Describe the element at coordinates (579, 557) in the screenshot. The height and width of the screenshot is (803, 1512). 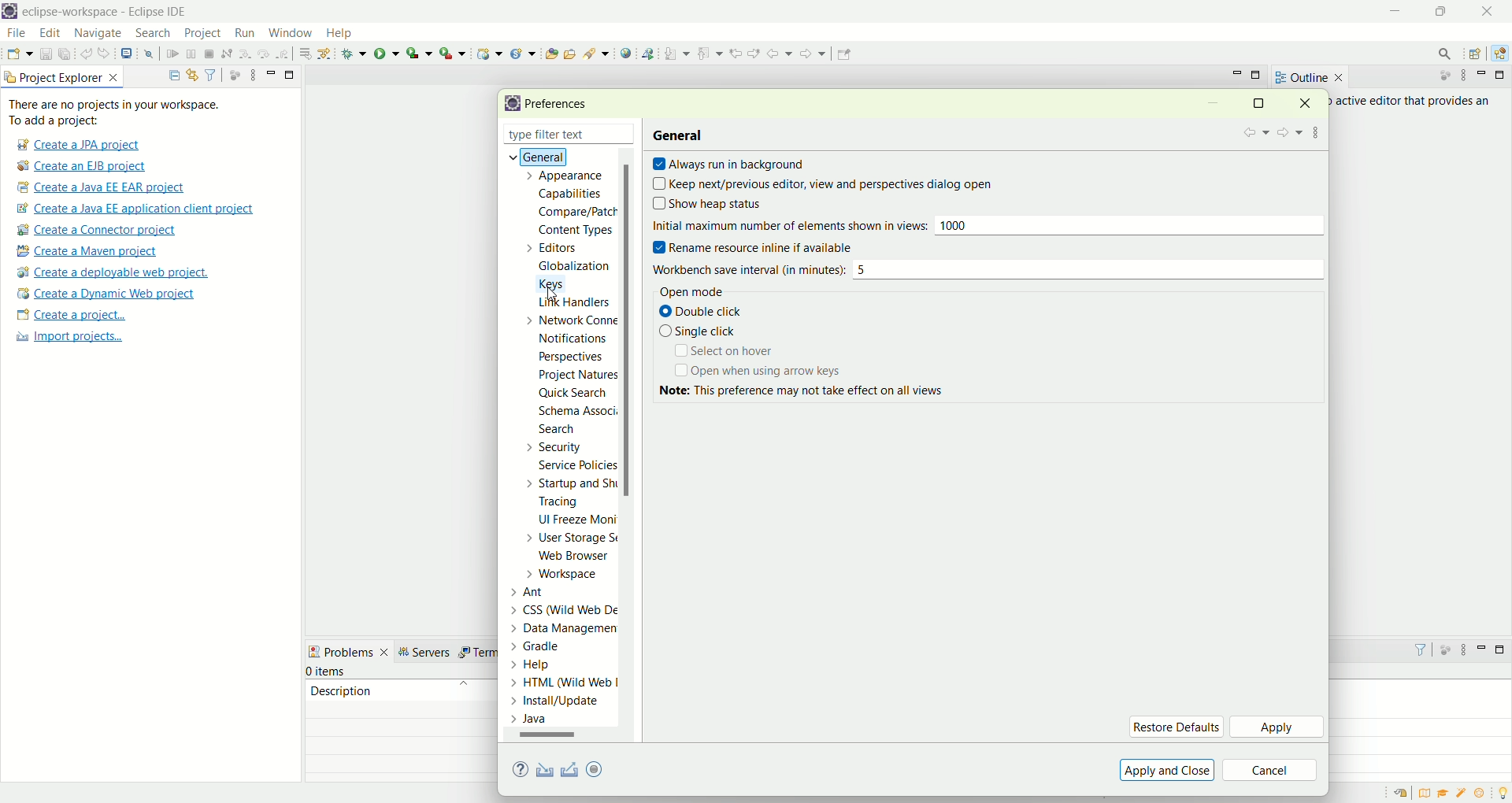
I see `web browser` at that location.